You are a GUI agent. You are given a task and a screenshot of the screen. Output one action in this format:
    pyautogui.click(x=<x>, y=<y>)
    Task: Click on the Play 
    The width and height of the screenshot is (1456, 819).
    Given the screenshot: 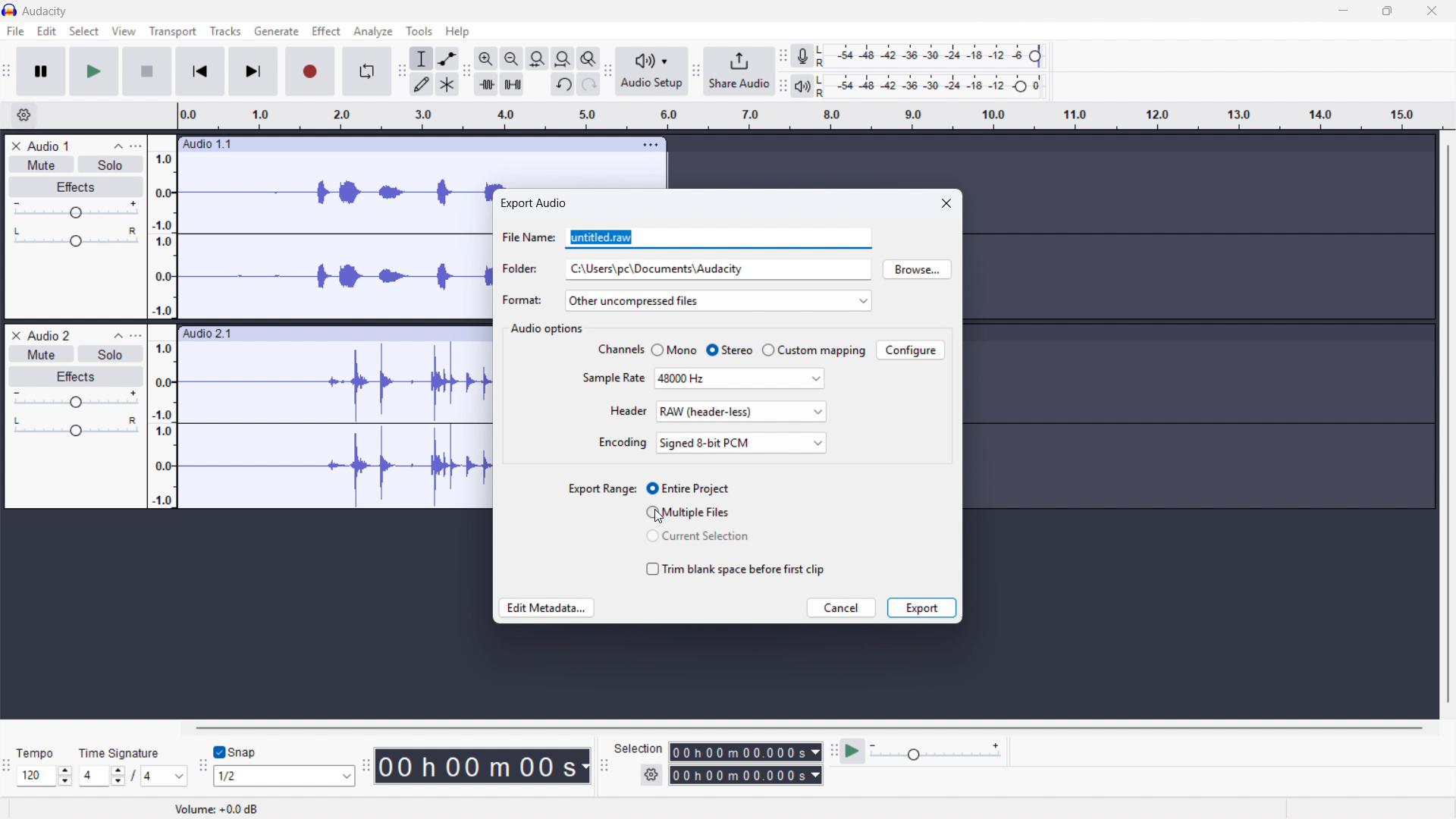 What is the action you would take?
    pyautogui.click(x=95, y=71)
    